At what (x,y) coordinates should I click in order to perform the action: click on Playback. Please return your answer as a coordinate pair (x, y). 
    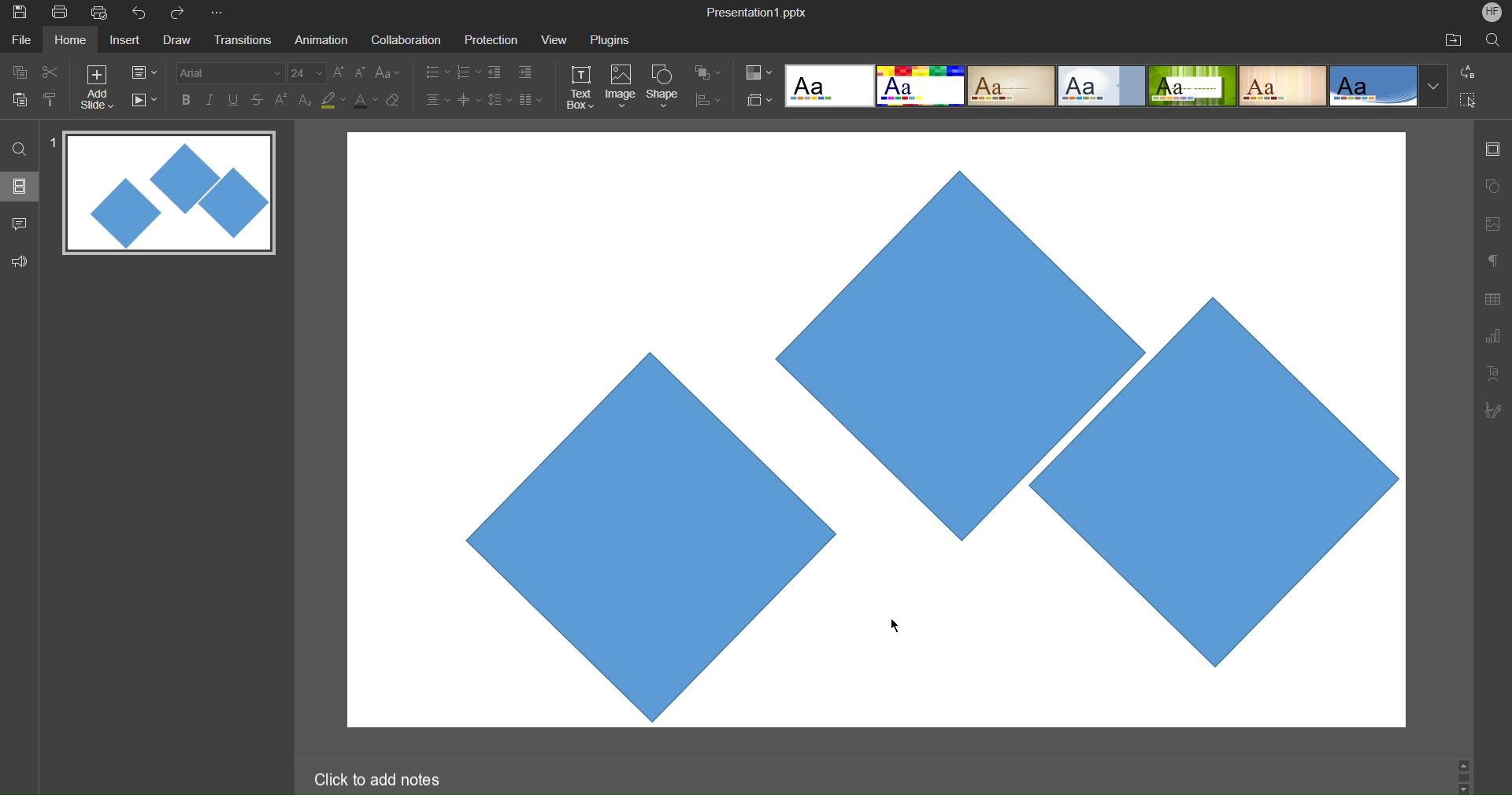
    Looking at the image, I should click on (143, 101).